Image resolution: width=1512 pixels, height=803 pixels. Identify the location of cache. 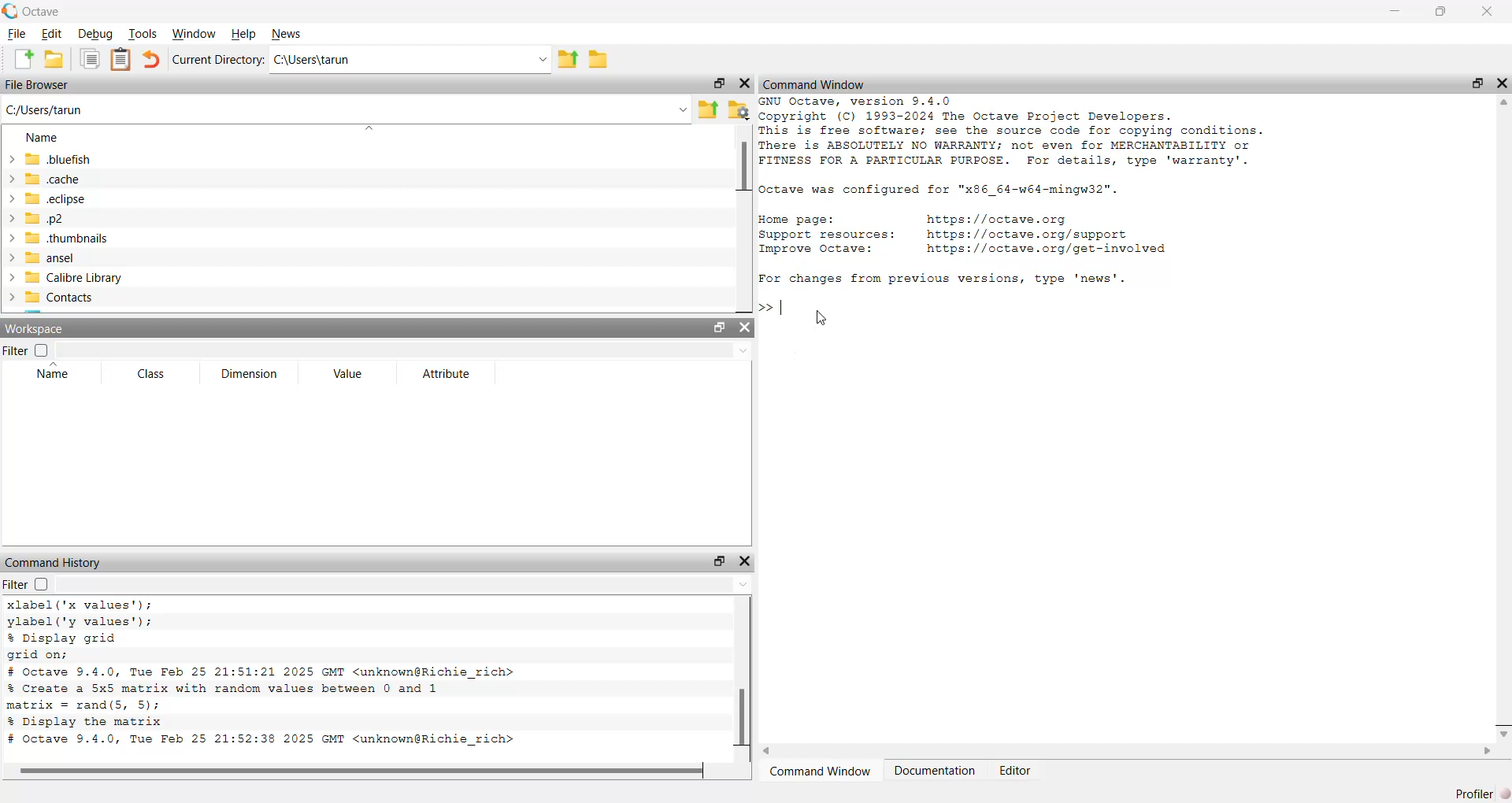
(45, 179).